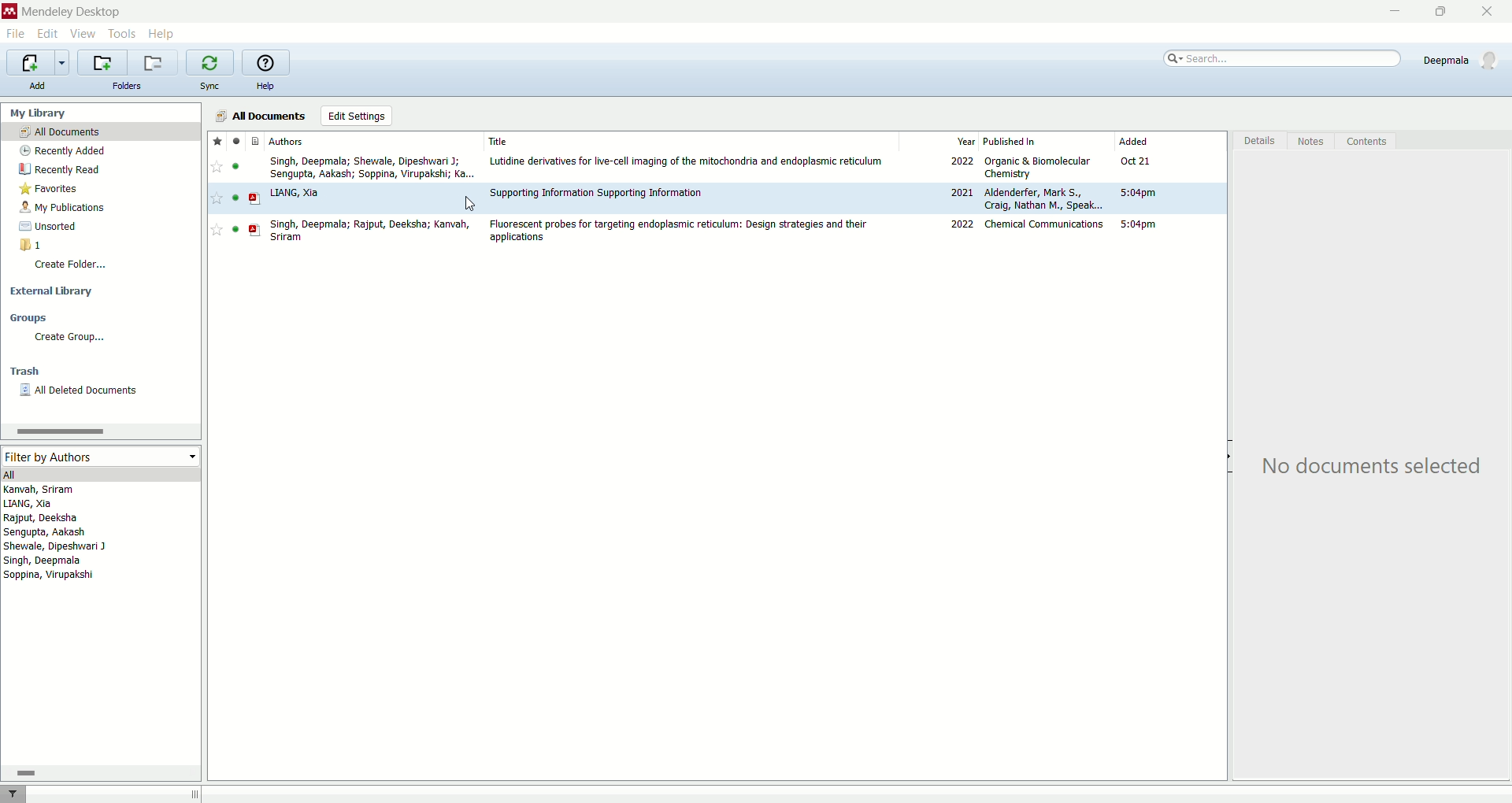 This screenshot has height=803, width=1512. What do you see at coordinates (13, 794) in the screenshot?
I see `filter` at bounding box center [13, 794].